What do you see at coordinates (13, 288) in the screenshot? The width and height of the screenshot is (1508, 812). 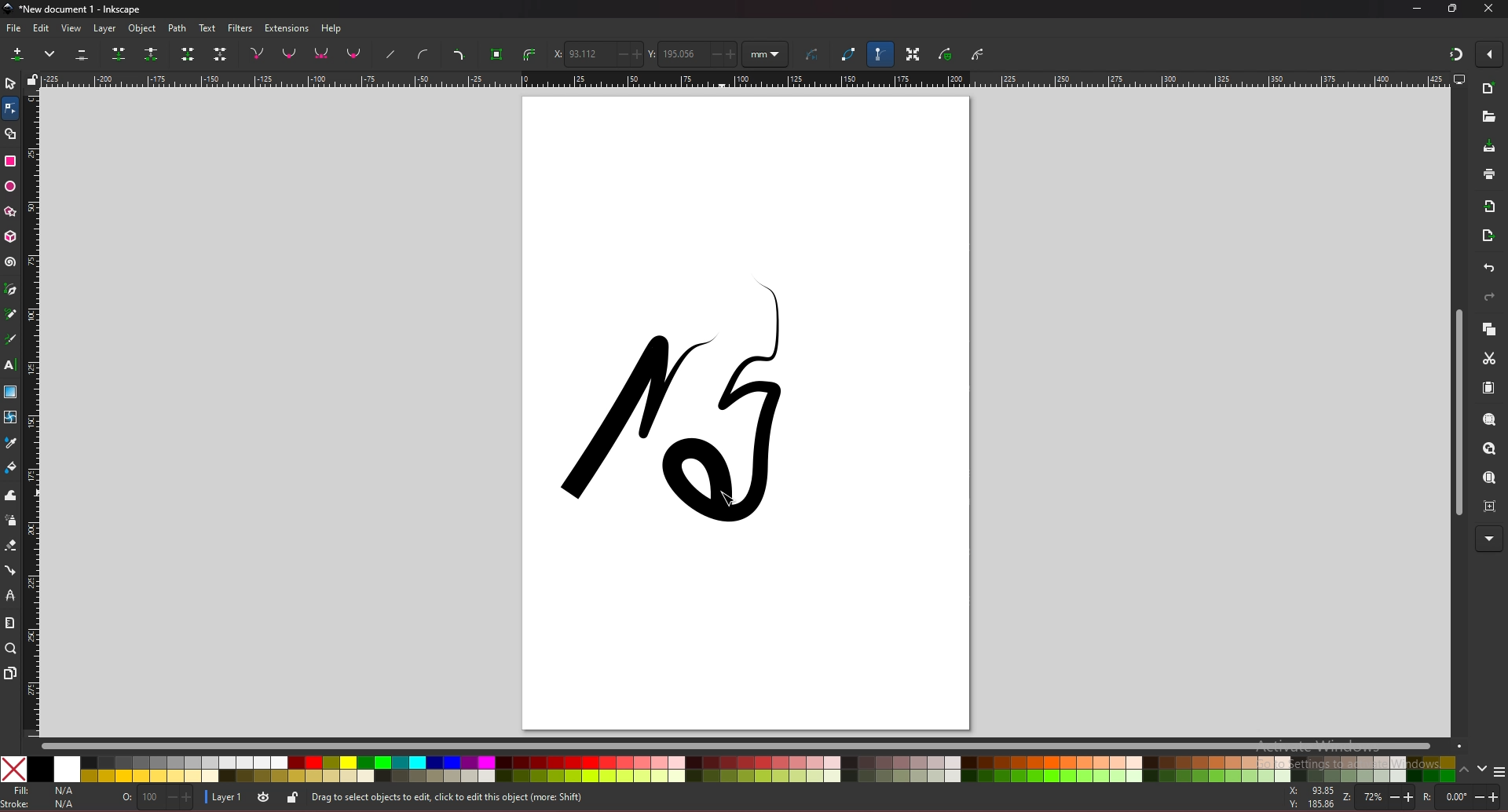 I see `pen` at bounding box center [13, 288].